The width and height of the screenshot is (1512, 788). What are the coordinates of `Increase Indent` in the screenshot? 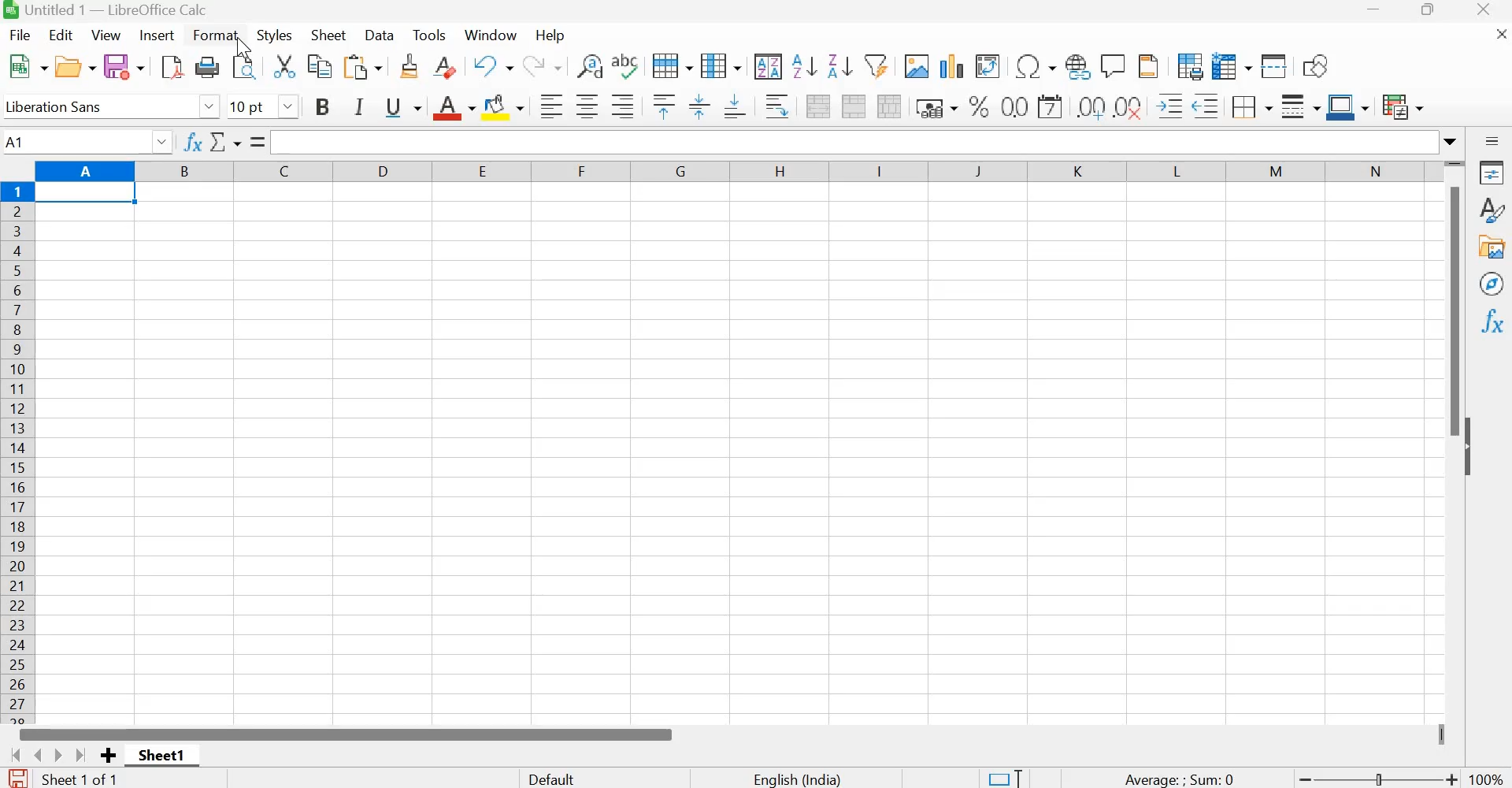 It's located at (1171, 105).